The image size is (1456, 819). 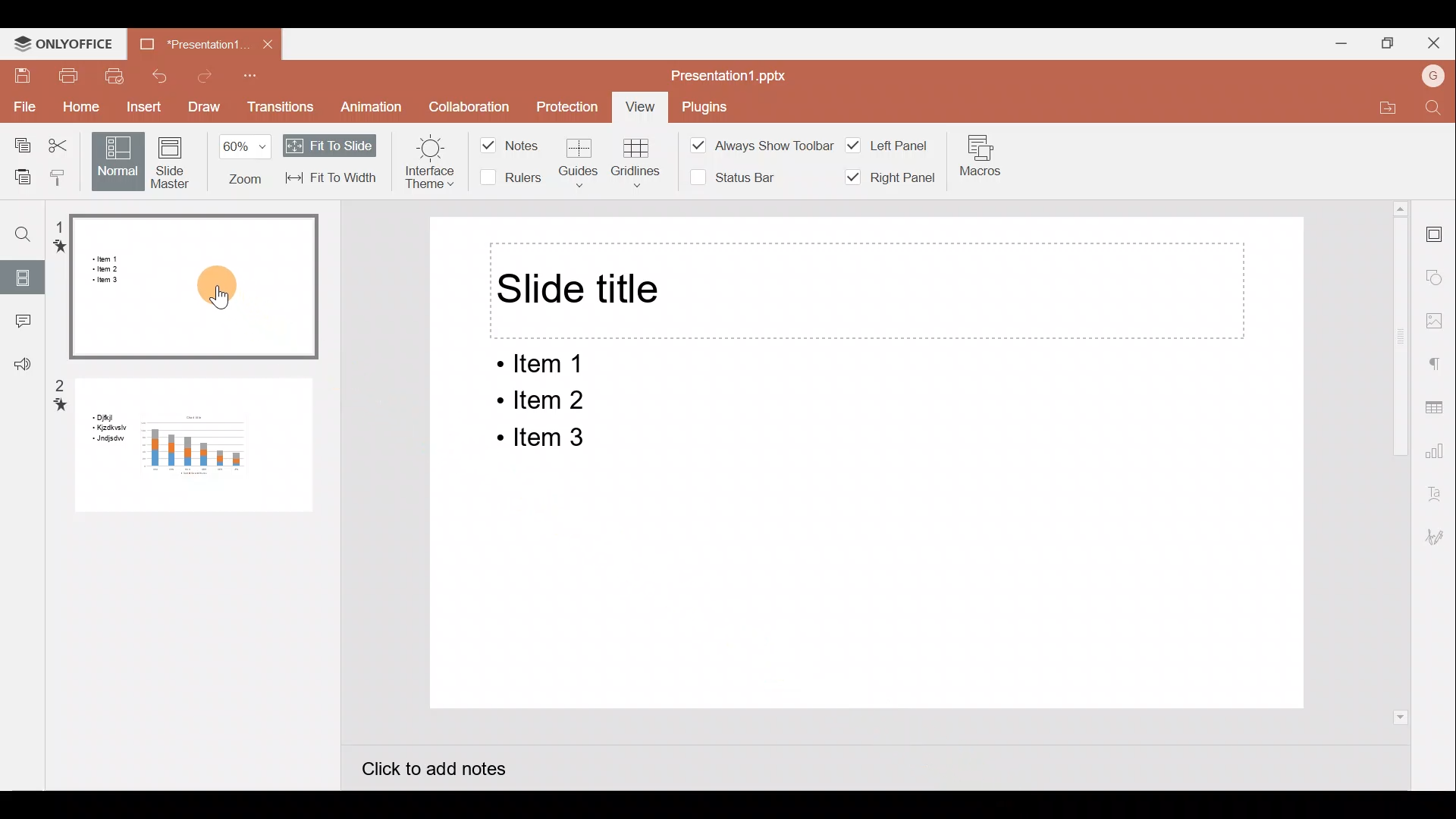 What do you see at coordinates (1392, 495) in the screenshot?
I see `Scroll bar` at bounding box center [1392, 495].